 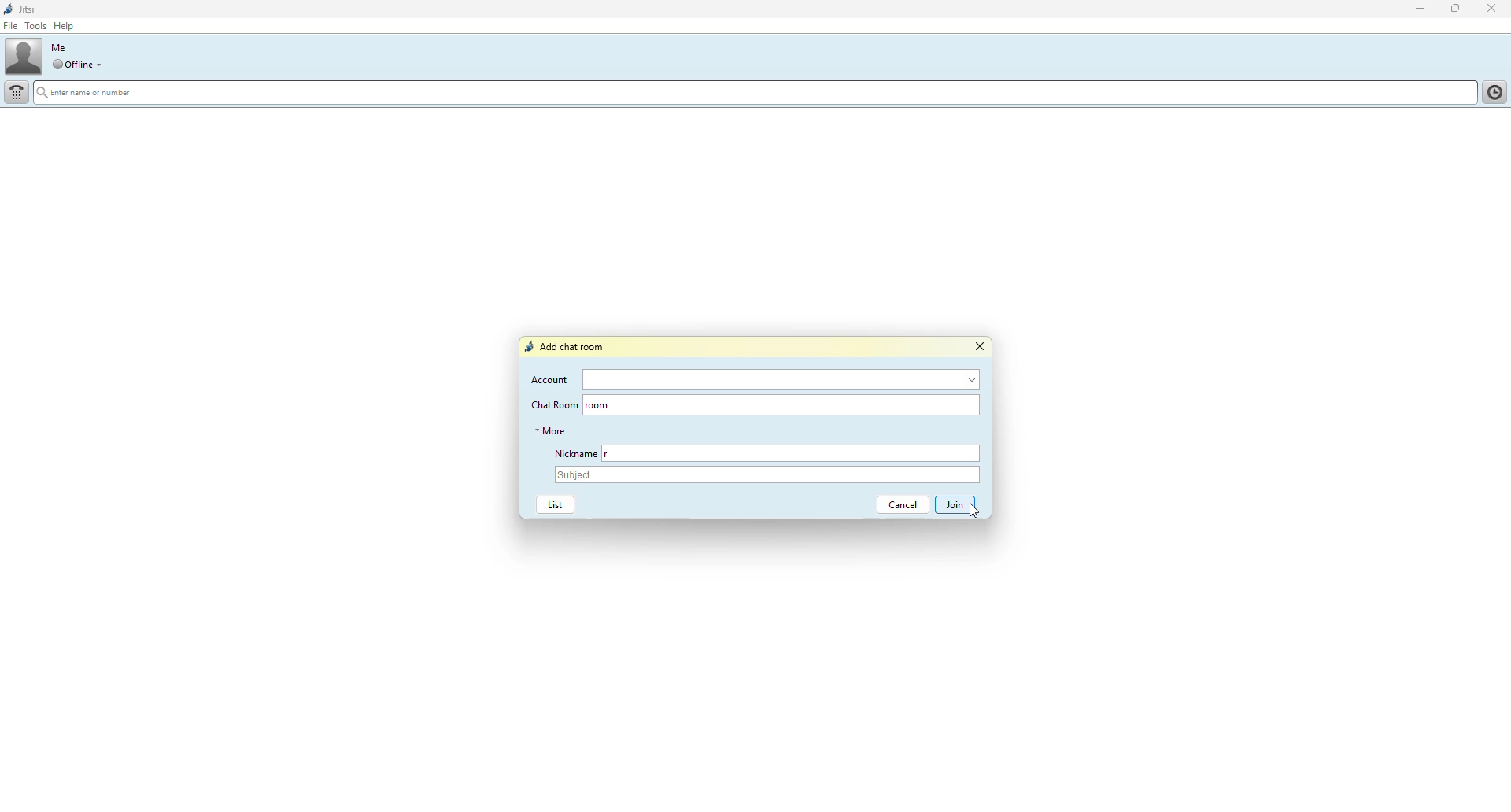 What do you see at coordinates (572, 452) in the screenshot?
I see `nickname` at bounding box center [572, 452].